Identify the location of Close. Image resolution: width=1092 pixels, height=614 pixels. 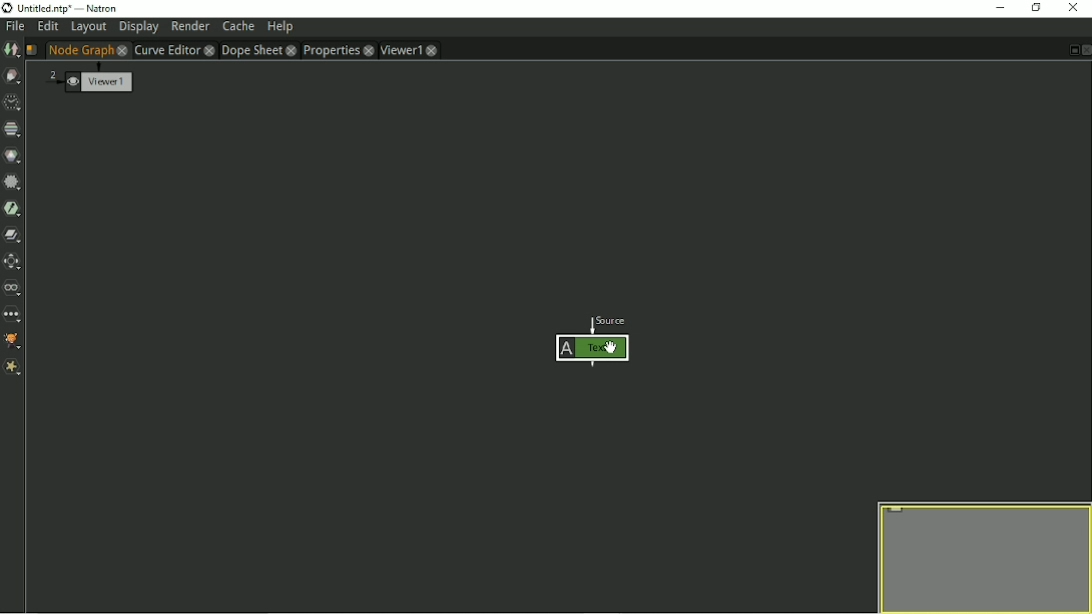
(1085, 50).